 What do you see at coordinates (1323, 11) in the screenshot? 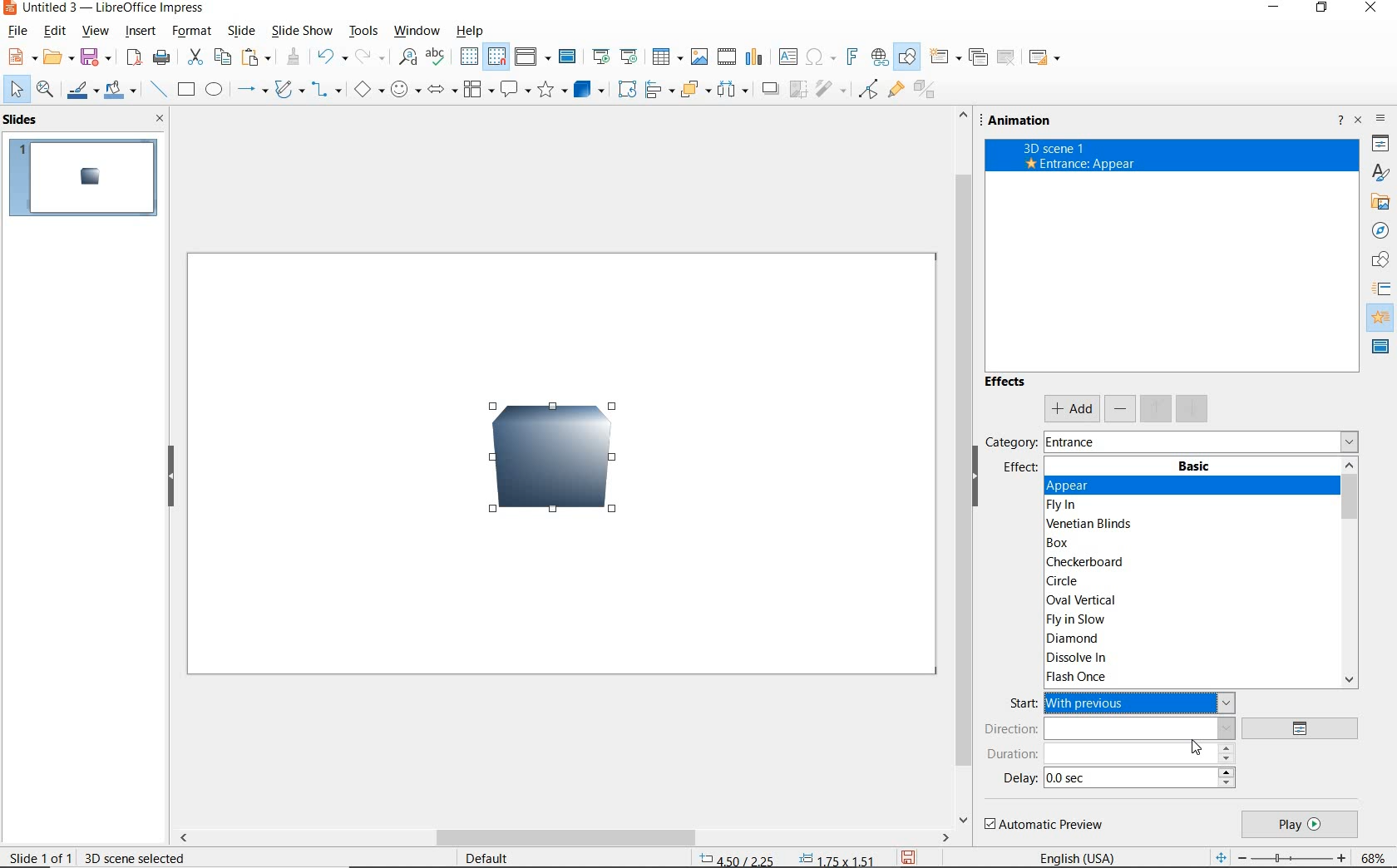
I see `RESTORE DOWN` at bounding box center [1323, 11].